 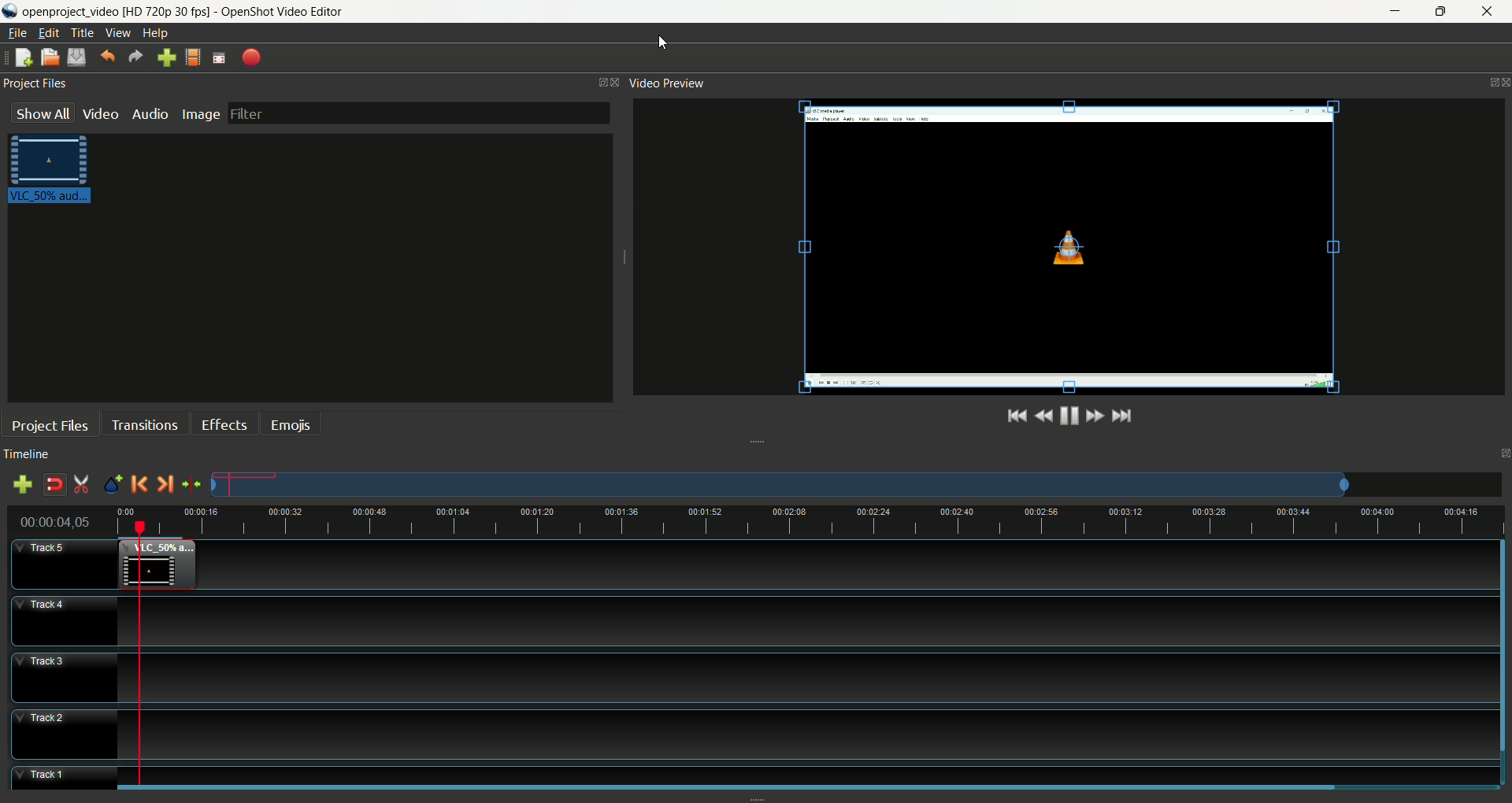 I want to click on track3, so click(x=68, y=675).